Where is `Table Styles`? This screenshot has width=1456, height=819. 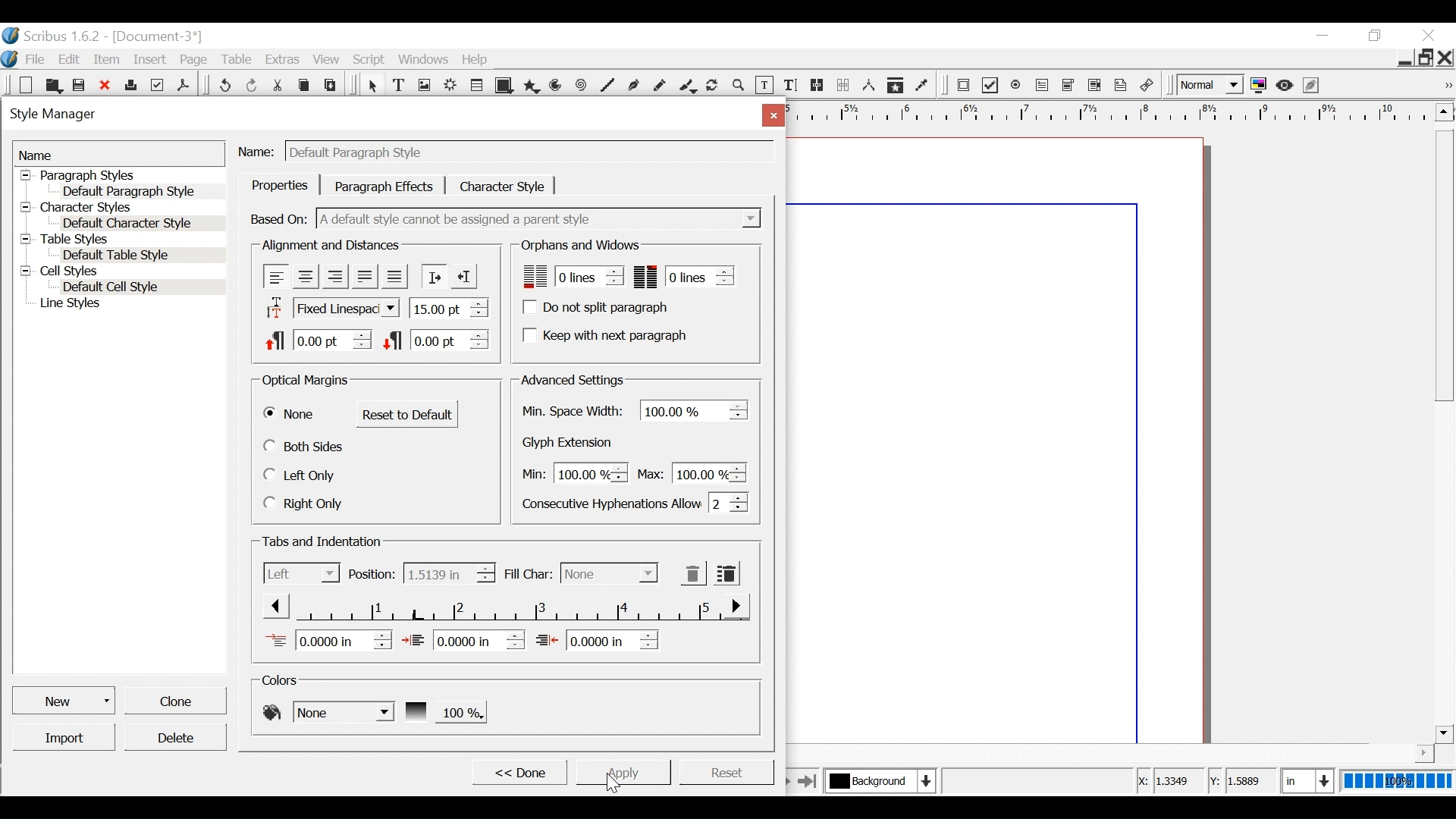 Table Styles is located at coordinates (121, 240).